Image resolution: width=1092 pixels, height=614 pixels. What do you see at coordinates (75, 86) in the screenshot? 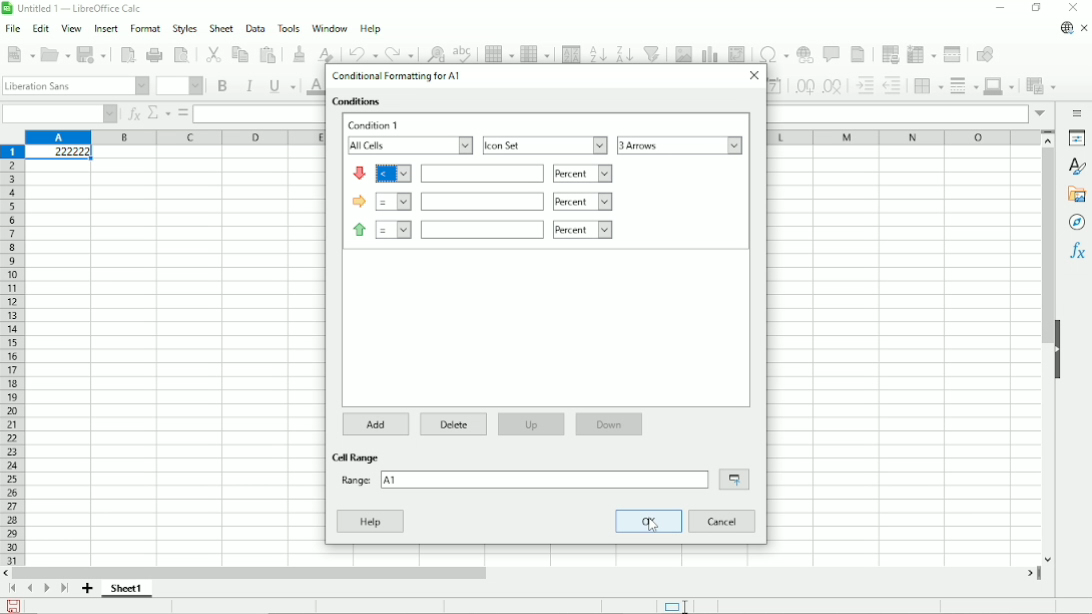
I see `Font style` at bounding box center [75, 86].